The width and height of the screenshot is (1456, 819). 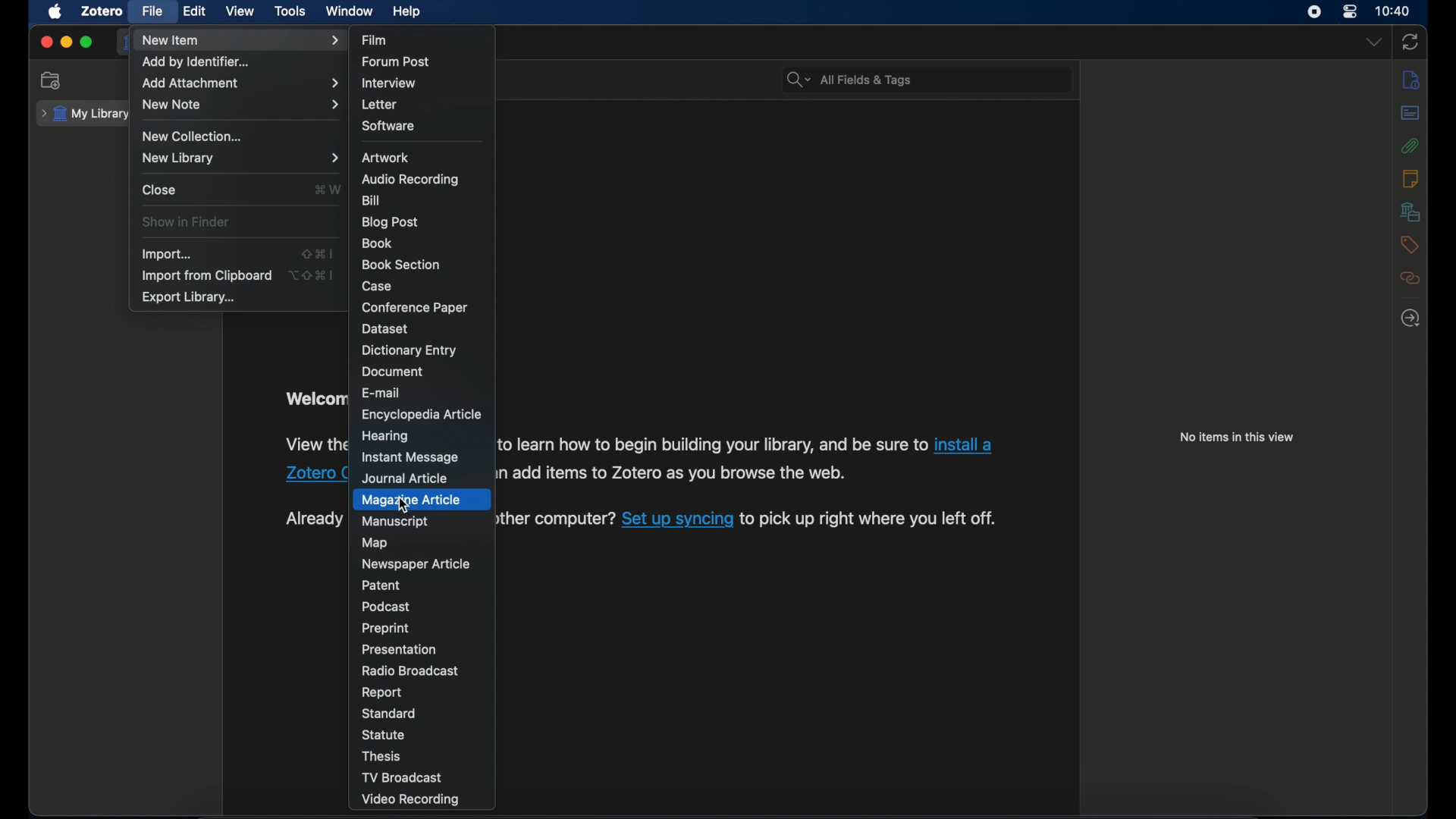 What do you see at coordinates (1411, 317) in the screenshot?
I see `locate` at bounding box center [1411, 317].